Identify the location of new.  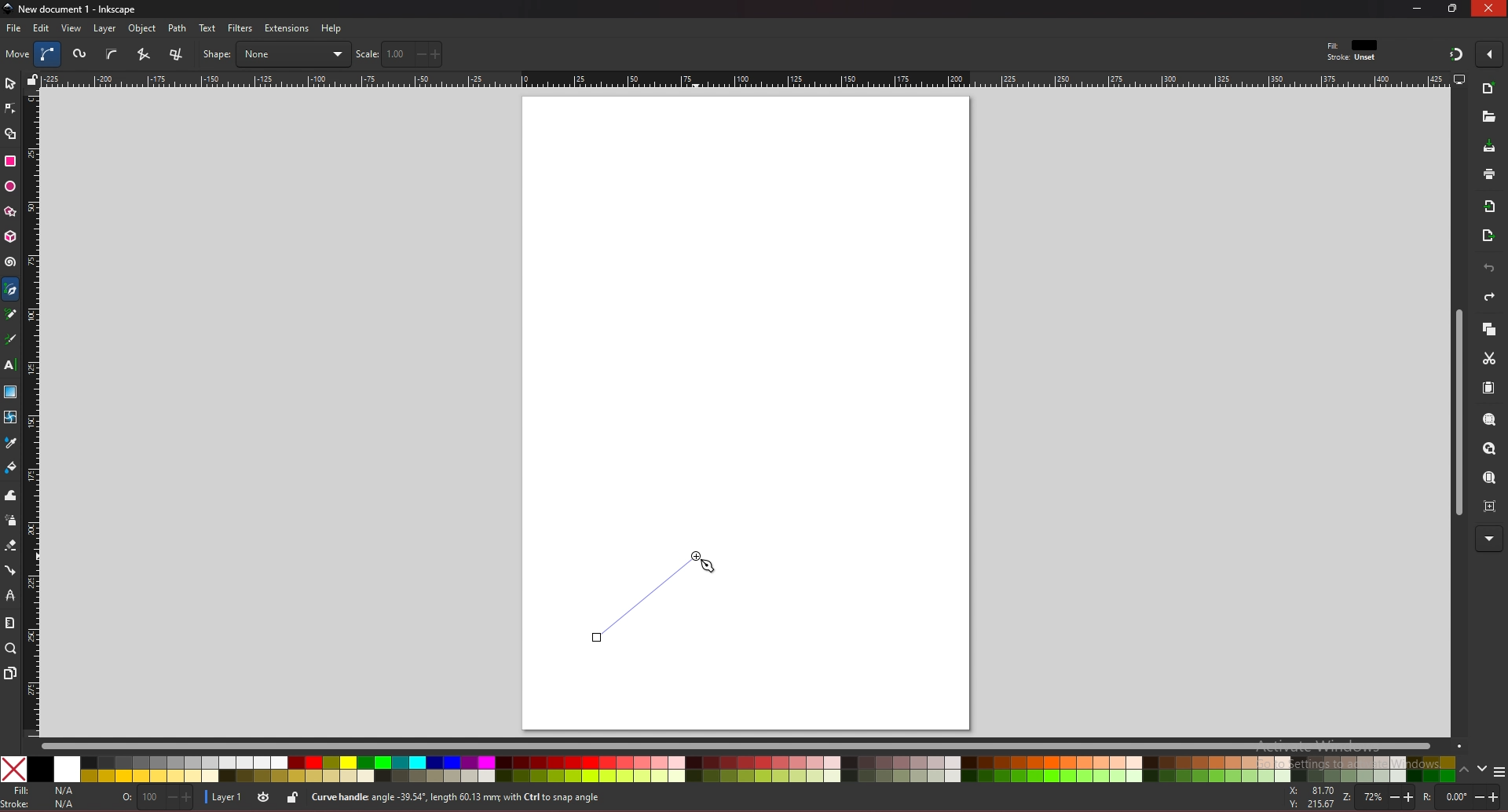
(1489, 90).